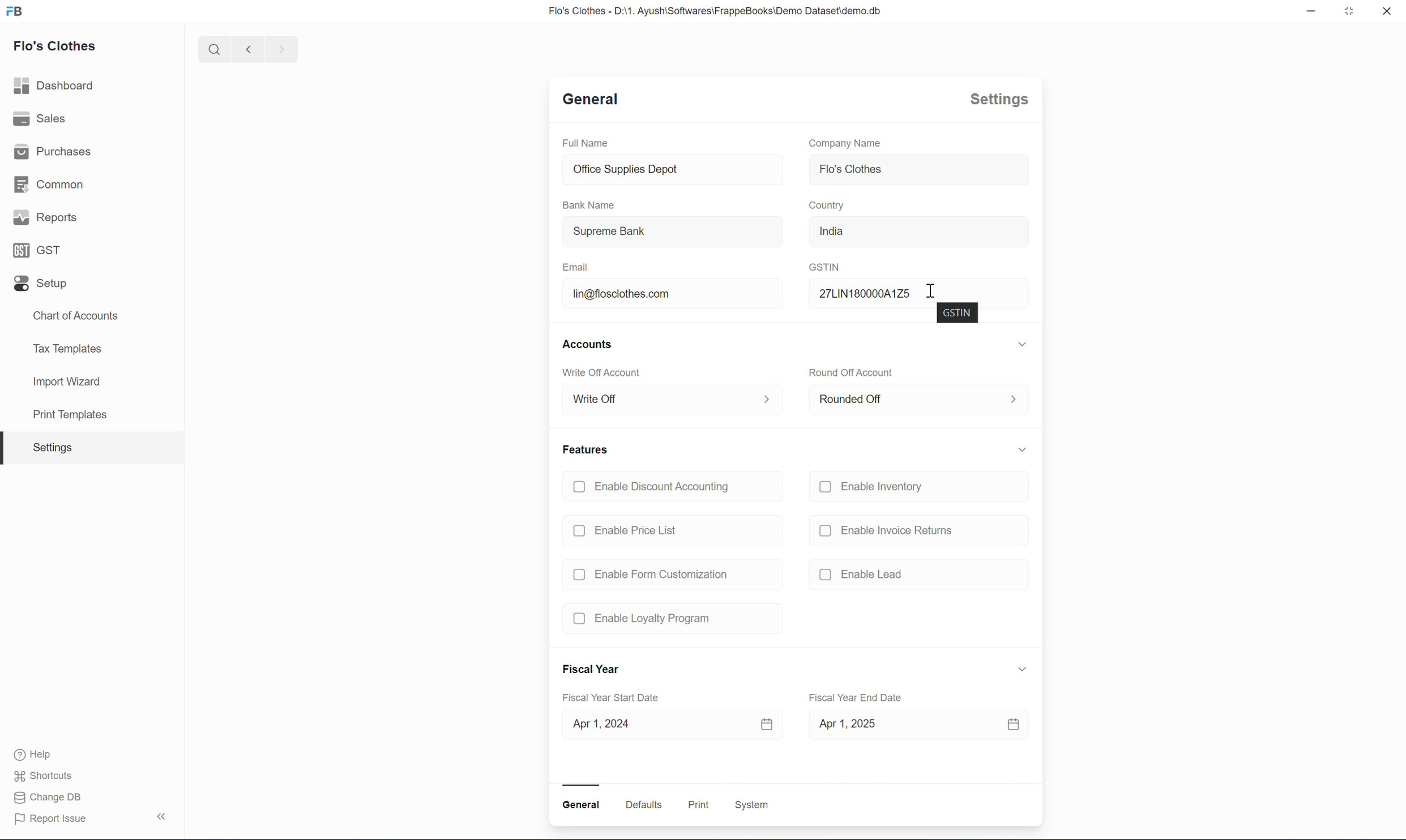 Image resolution: width=1406 pixels, height=840 pixels. Describe the element at coordinates (1311, 11) in the screenshot. I see `minimize` at that location.